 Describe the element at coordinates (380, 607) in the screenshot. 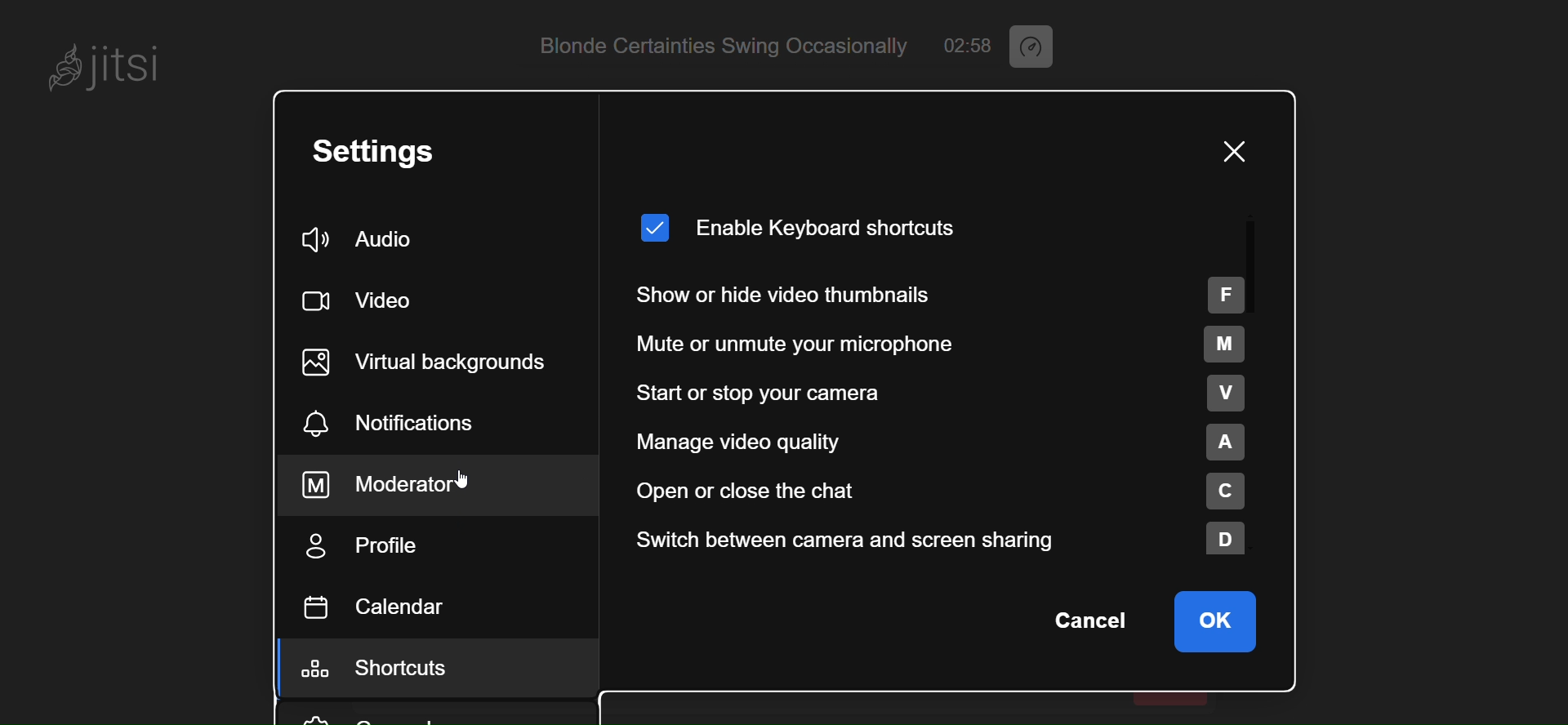

I see `calendar` at that location.